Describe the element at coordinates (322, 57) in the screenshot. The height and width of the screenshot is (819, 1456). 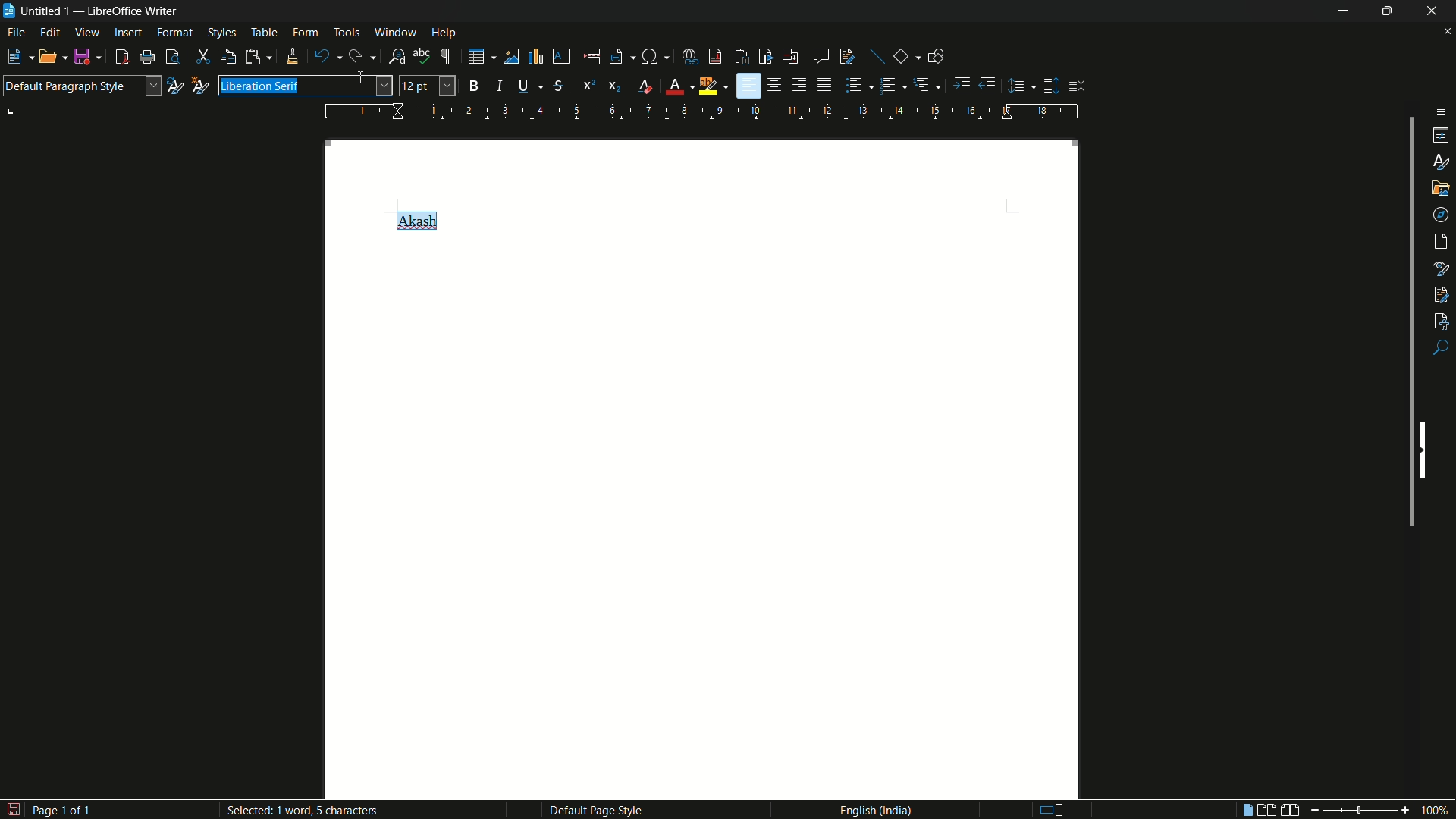
I see `undo` at that location.